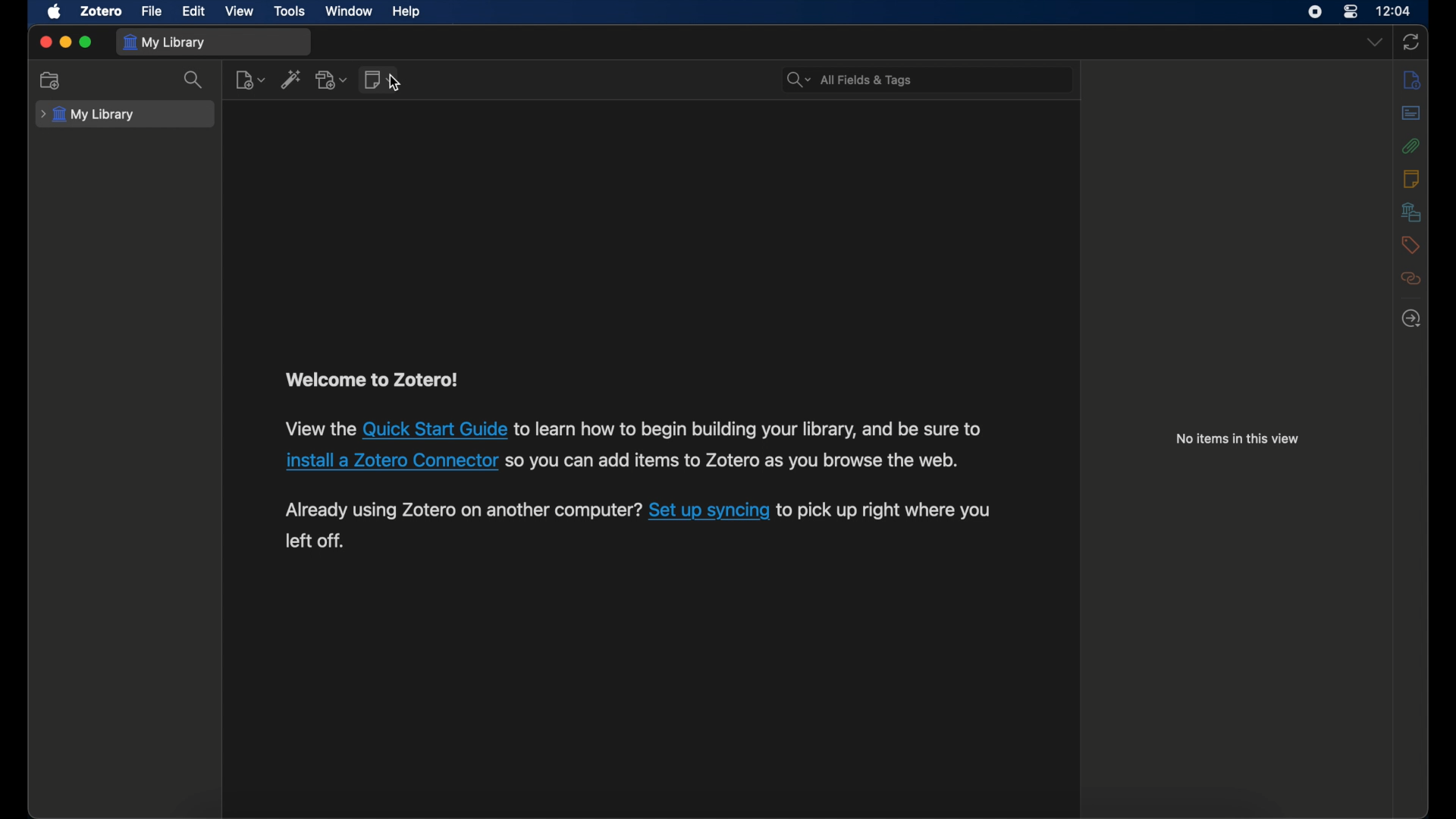 The height and width of the screenshot is (819, 1456). Describe the element at coordinates (347, 11) in the screenshot. I see `window` at that location.